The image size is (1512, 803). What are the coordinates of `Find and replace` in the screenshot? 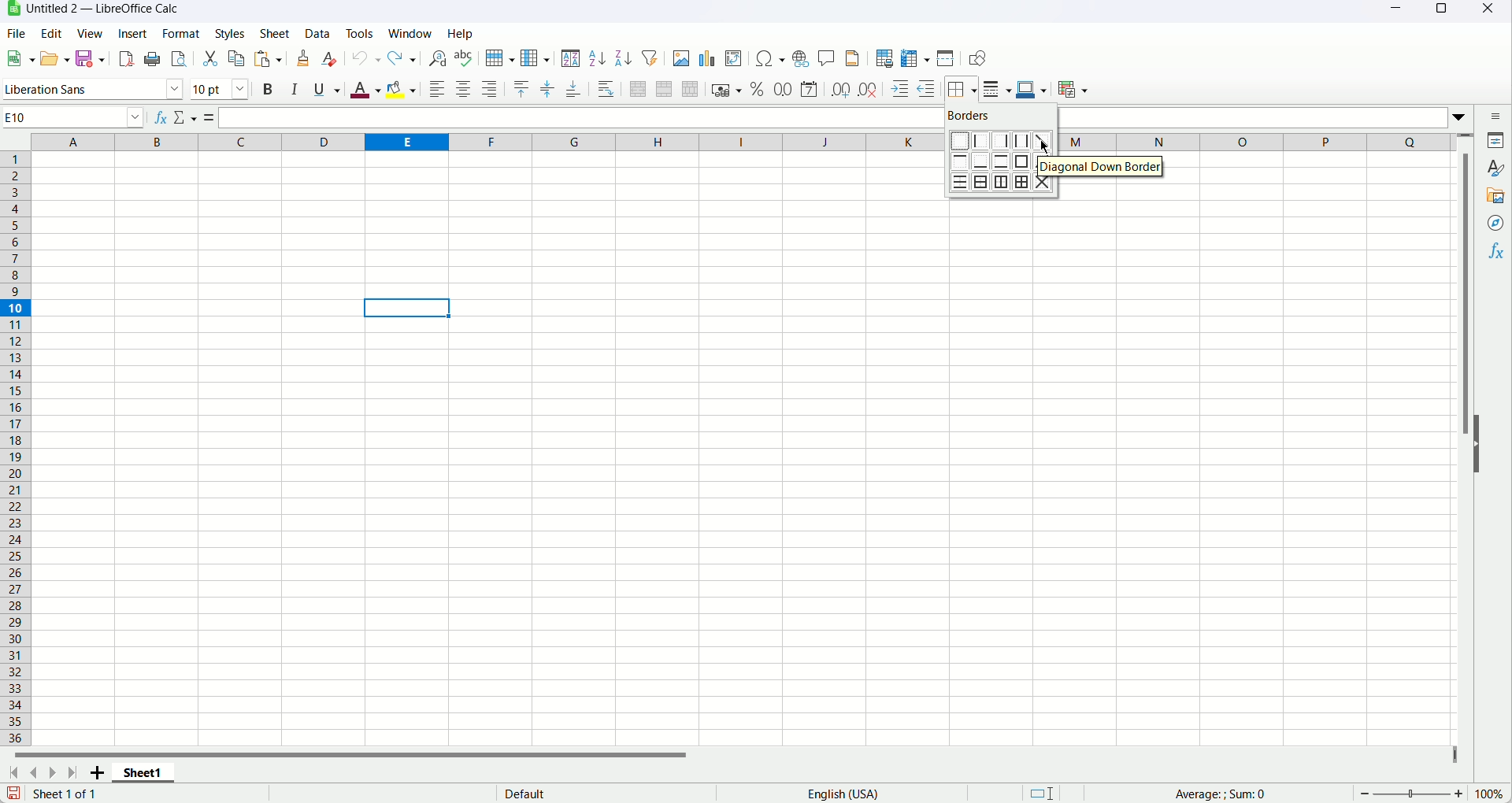 It's located at (435, 58).